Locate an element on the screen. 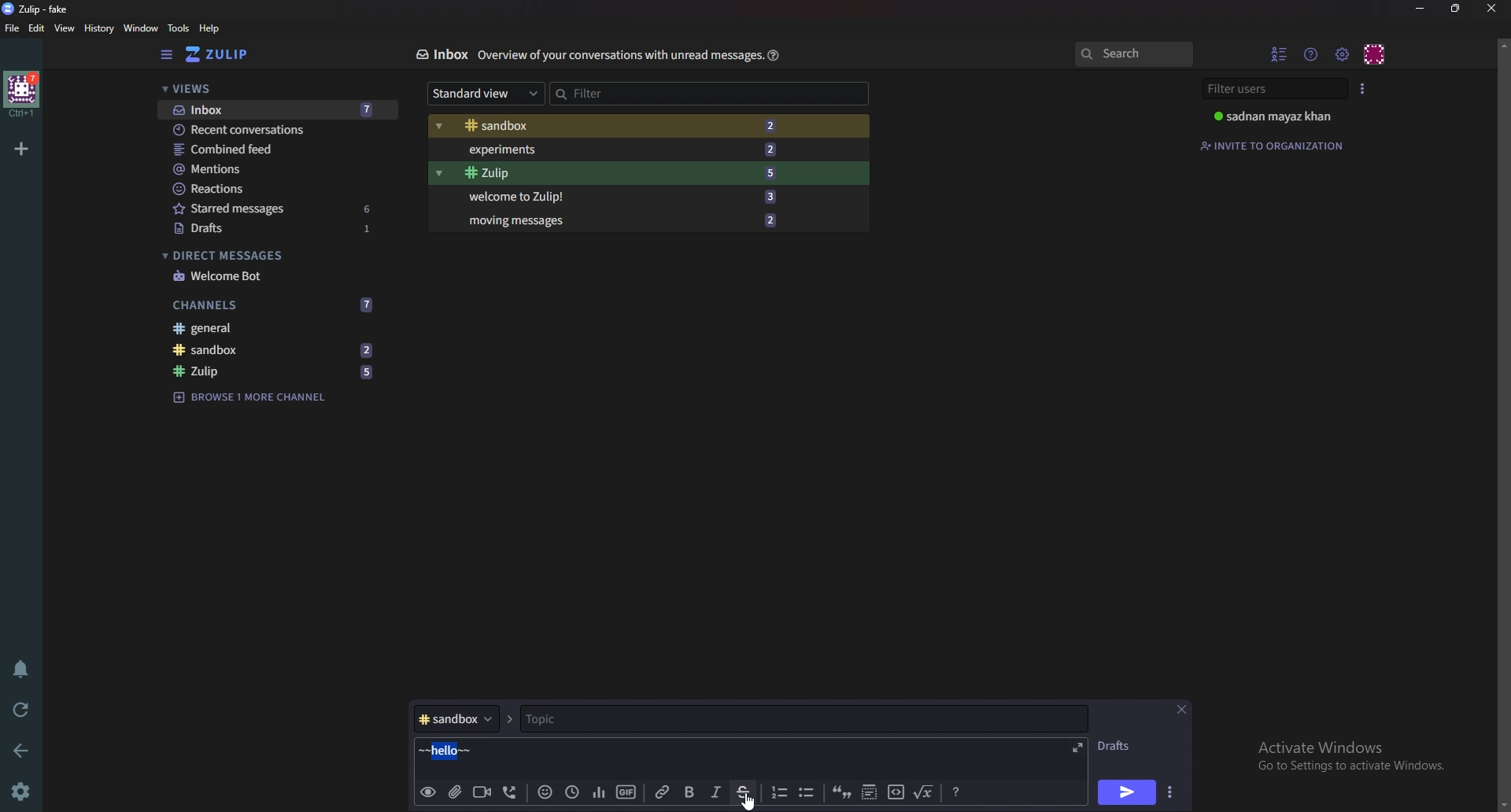 This screenshot has width=1511, height=812. Direct messages is located at coordinates (269, 254).